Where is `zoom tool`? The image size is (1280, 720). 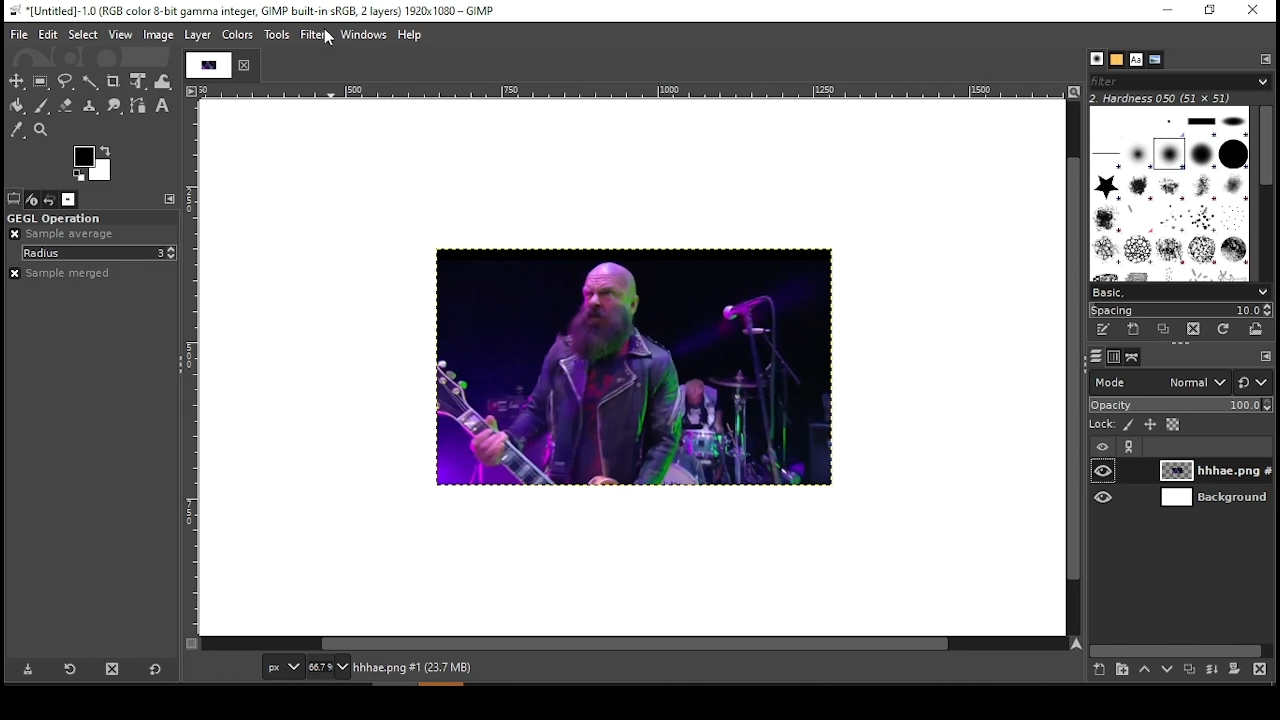
zoom tool is located at coordinates (42, 132).